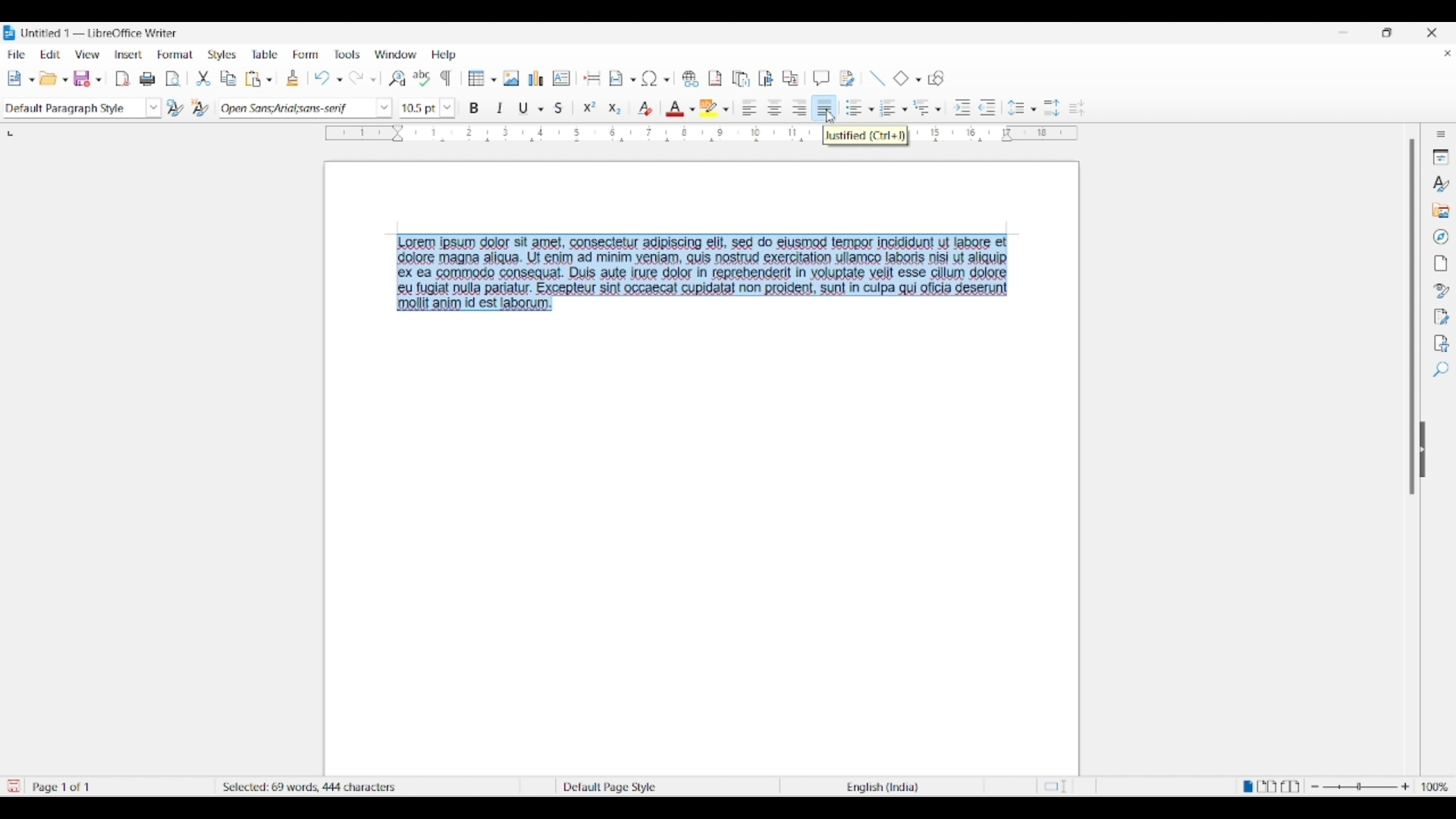  I want to click on Show draw functions, so click(936, 78).